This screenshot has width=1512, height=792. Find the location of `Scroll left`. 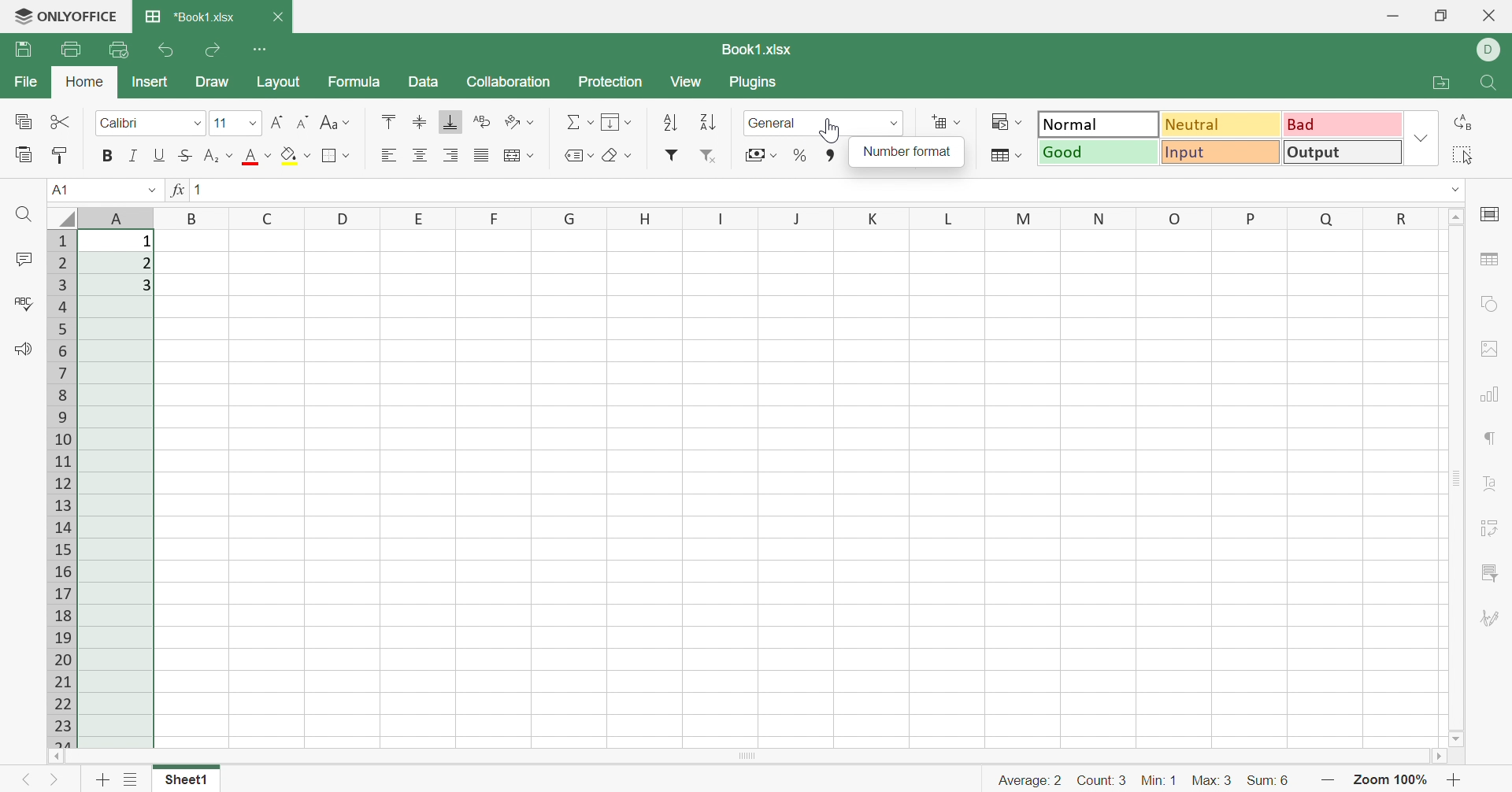

Scroll left is located at coordinates (56, 757).